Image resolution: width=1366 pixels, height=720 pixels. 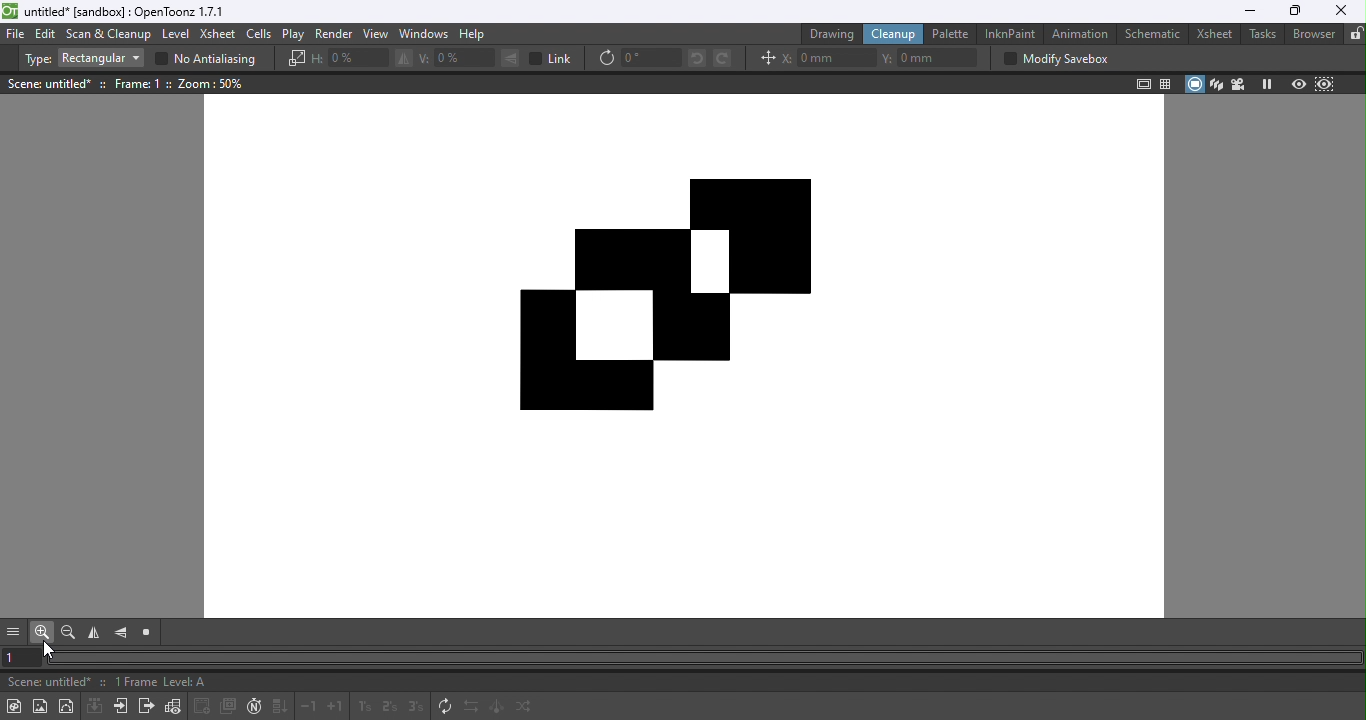 I want to click on Repeat, so click(x=442, y=707).